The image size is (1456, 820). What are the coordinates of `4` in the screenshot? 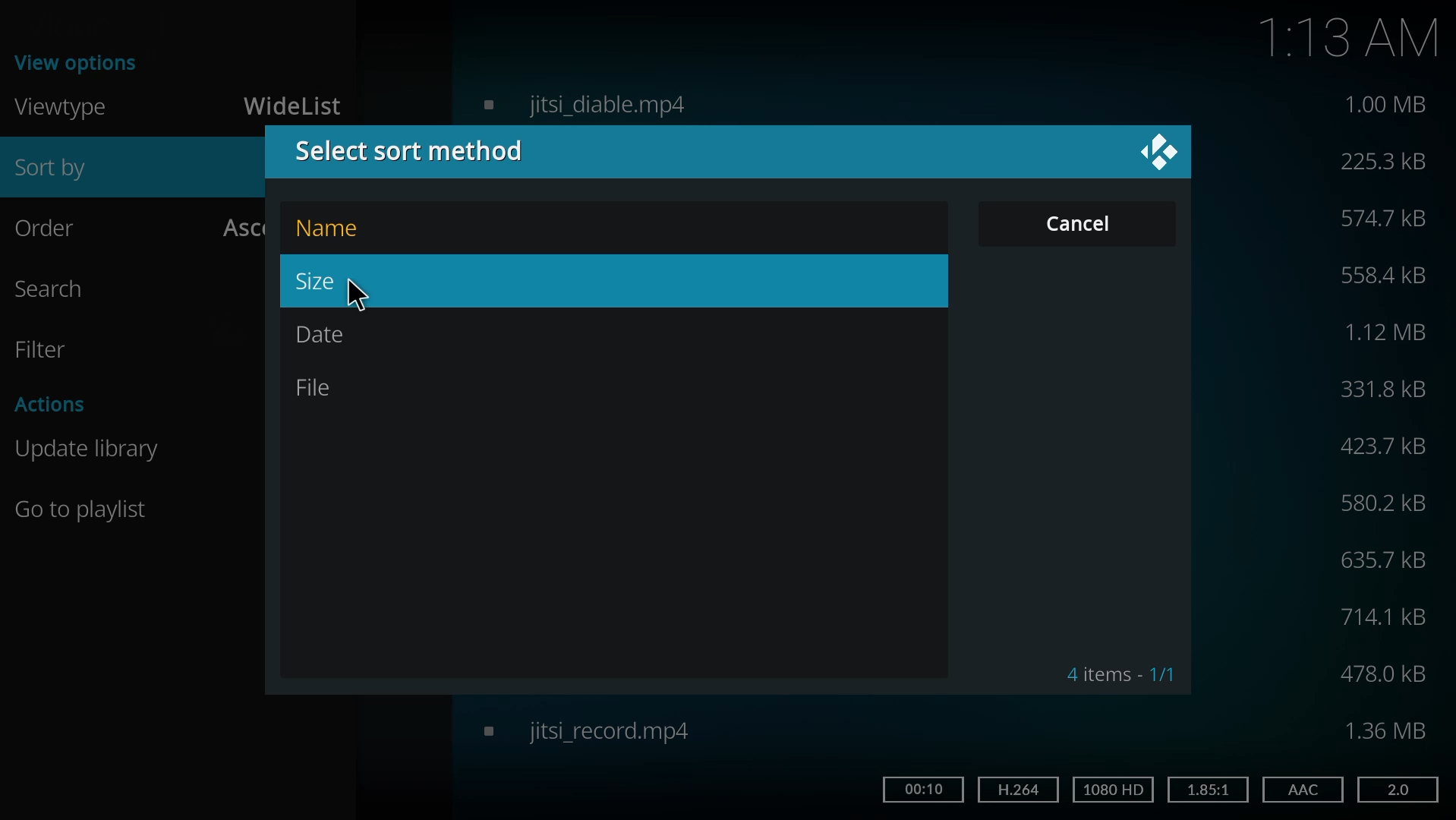 It's located at (1116, 673).